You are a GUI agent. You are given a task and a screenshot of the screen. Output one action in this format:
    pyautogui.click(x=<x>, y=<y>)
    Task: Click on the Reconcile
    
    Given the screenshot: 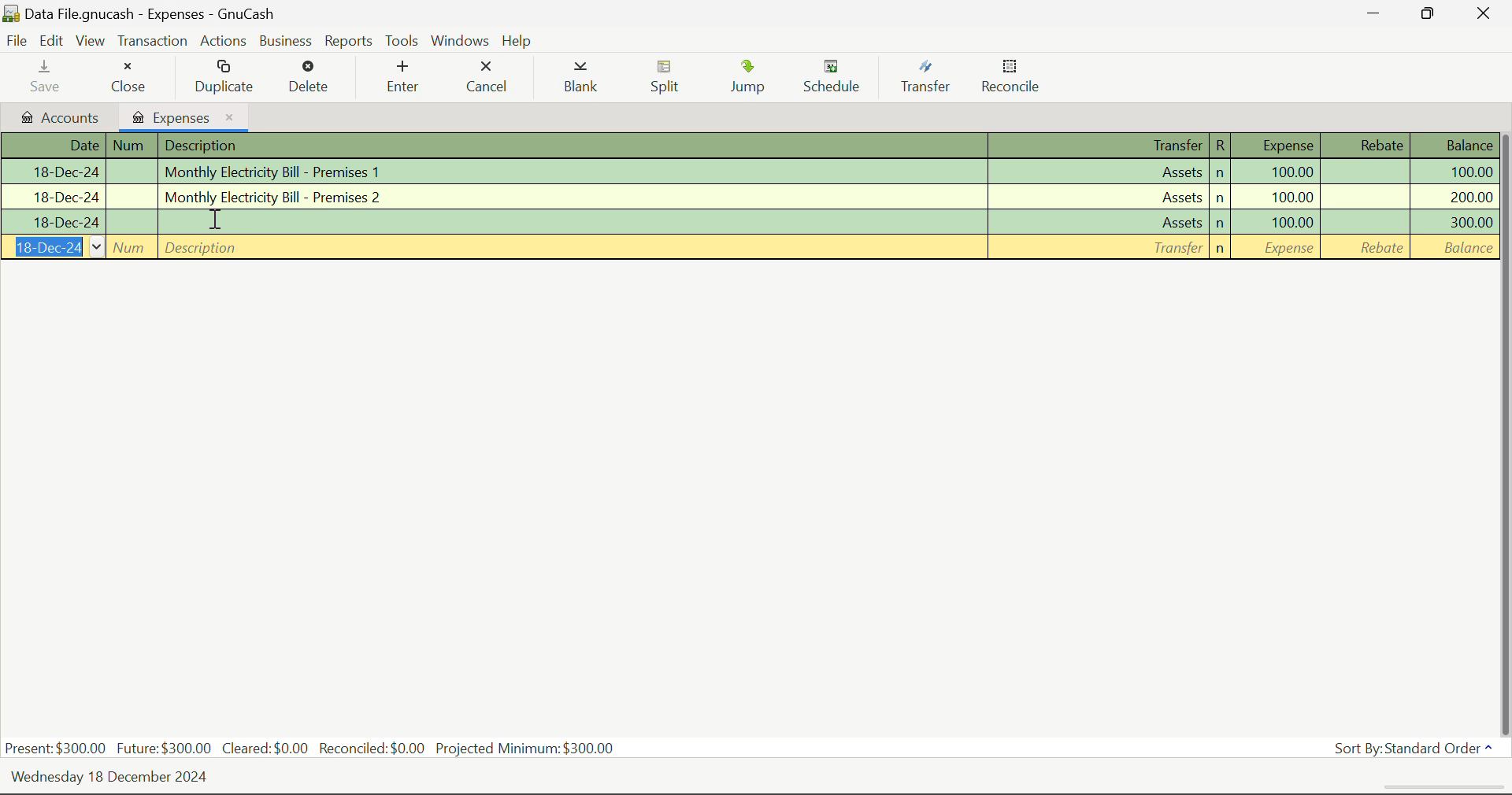 What is the action you would take?
    pyautogui.click(x=1017, y=79)
    